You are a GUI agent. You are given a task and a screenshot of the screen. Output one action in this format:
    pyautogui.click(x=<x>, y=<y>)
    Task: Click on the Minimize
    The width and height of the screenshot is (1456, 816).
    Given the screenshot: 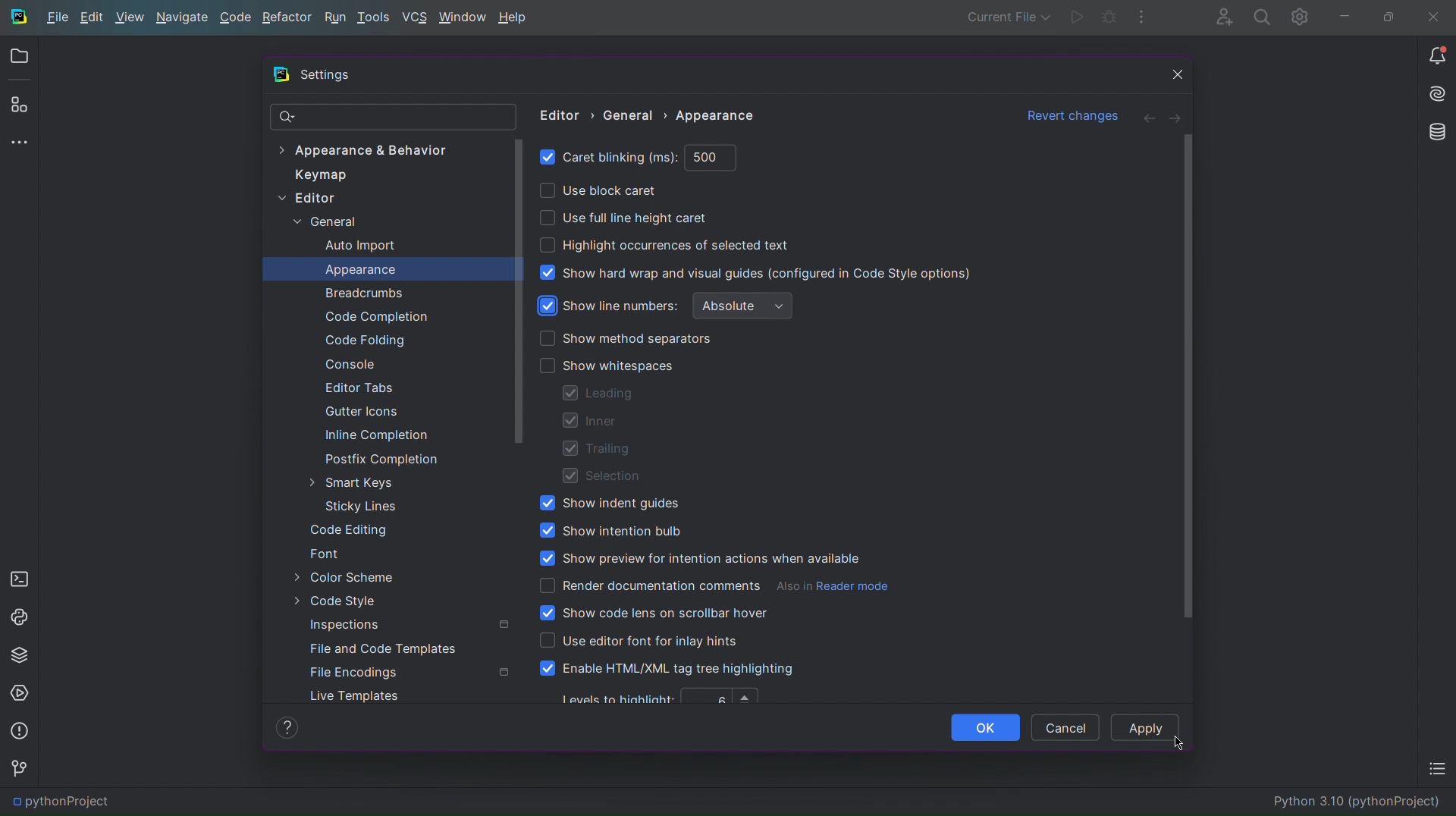 What is the action you would take?
    pyautogui.click(x=1343, y=16)
    